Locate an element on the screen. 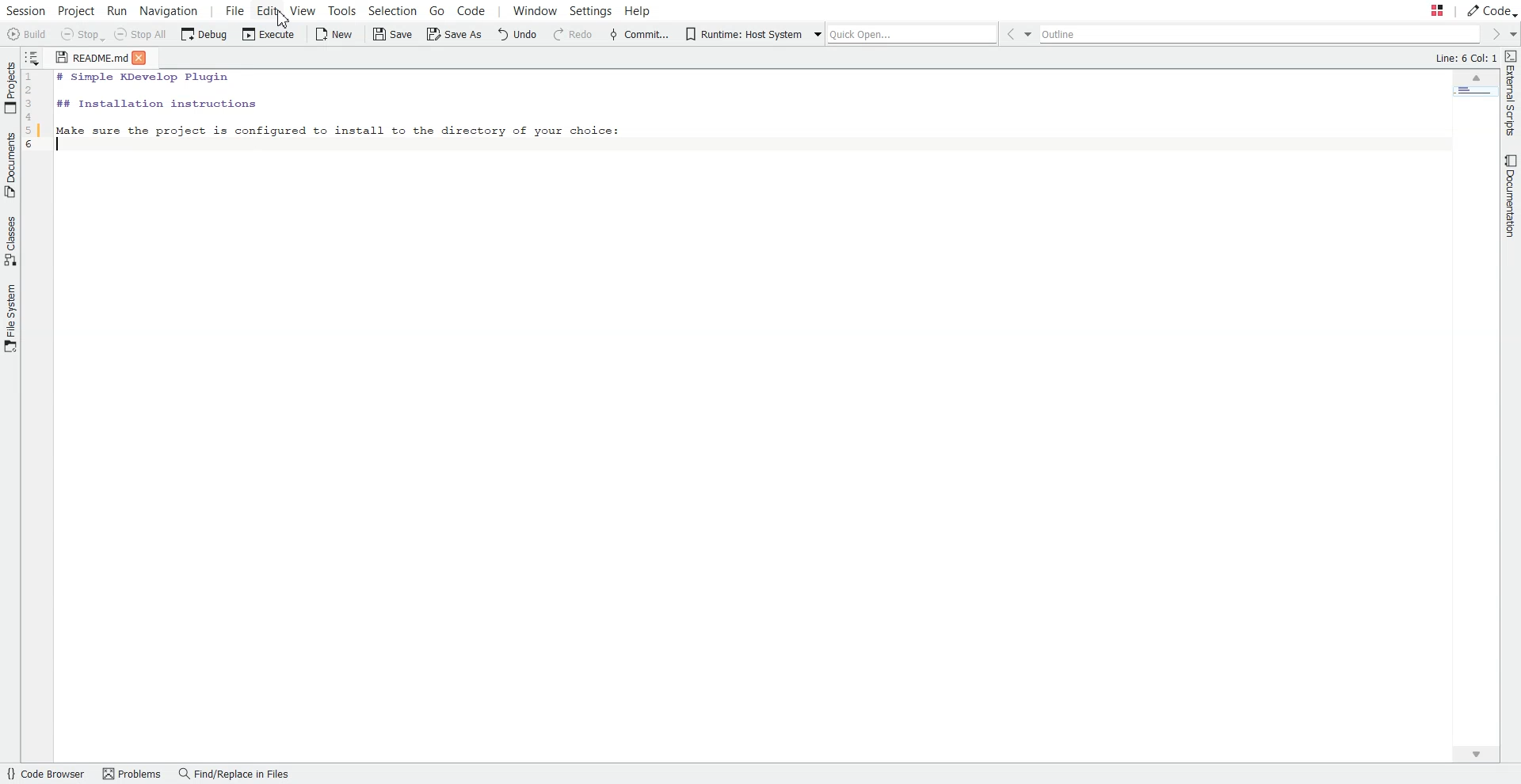  Classes is located at coordinates (10, 241).